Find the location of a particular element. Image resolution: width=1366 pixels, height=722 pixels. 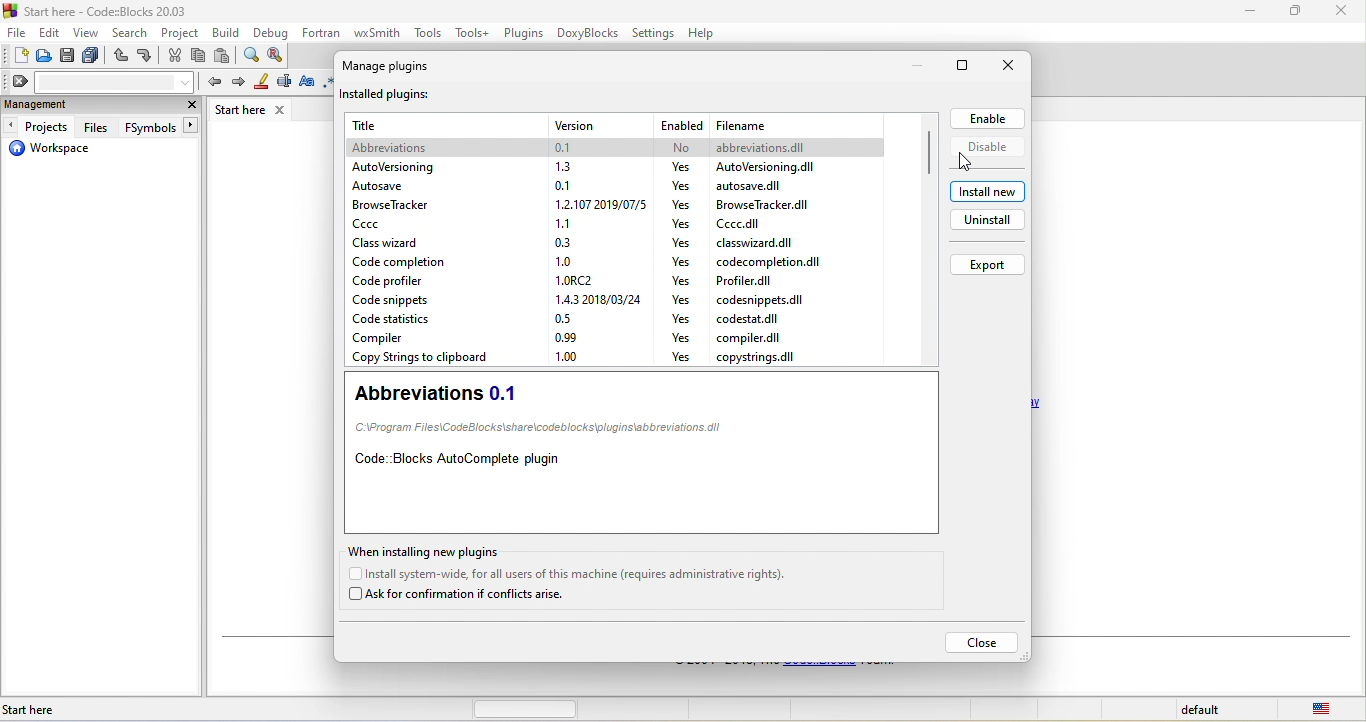

file is located at coordinates (772, 260).